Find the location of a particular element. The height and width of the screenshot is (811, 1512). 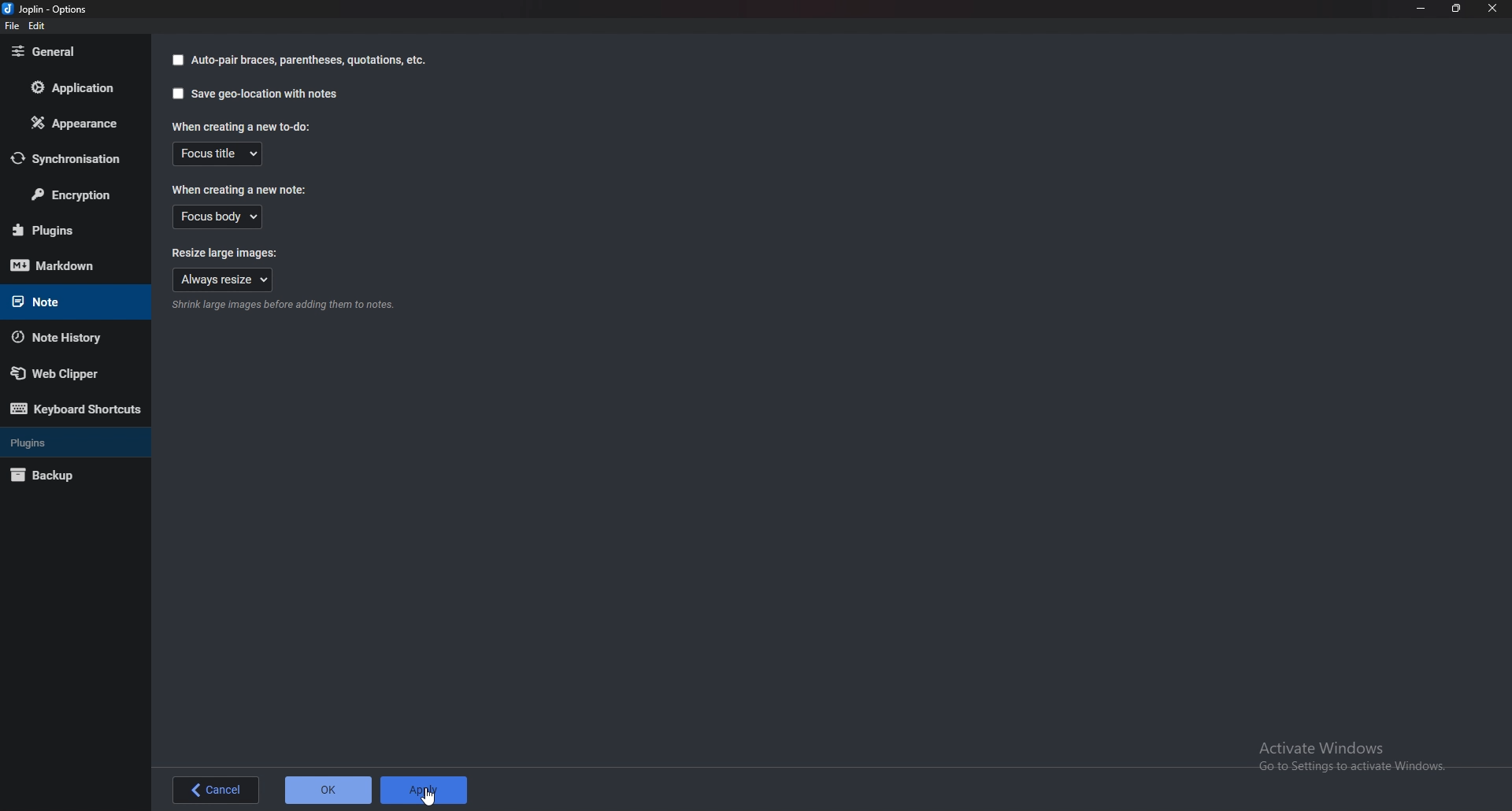

joplin - option is located at coordinates (48, 9).